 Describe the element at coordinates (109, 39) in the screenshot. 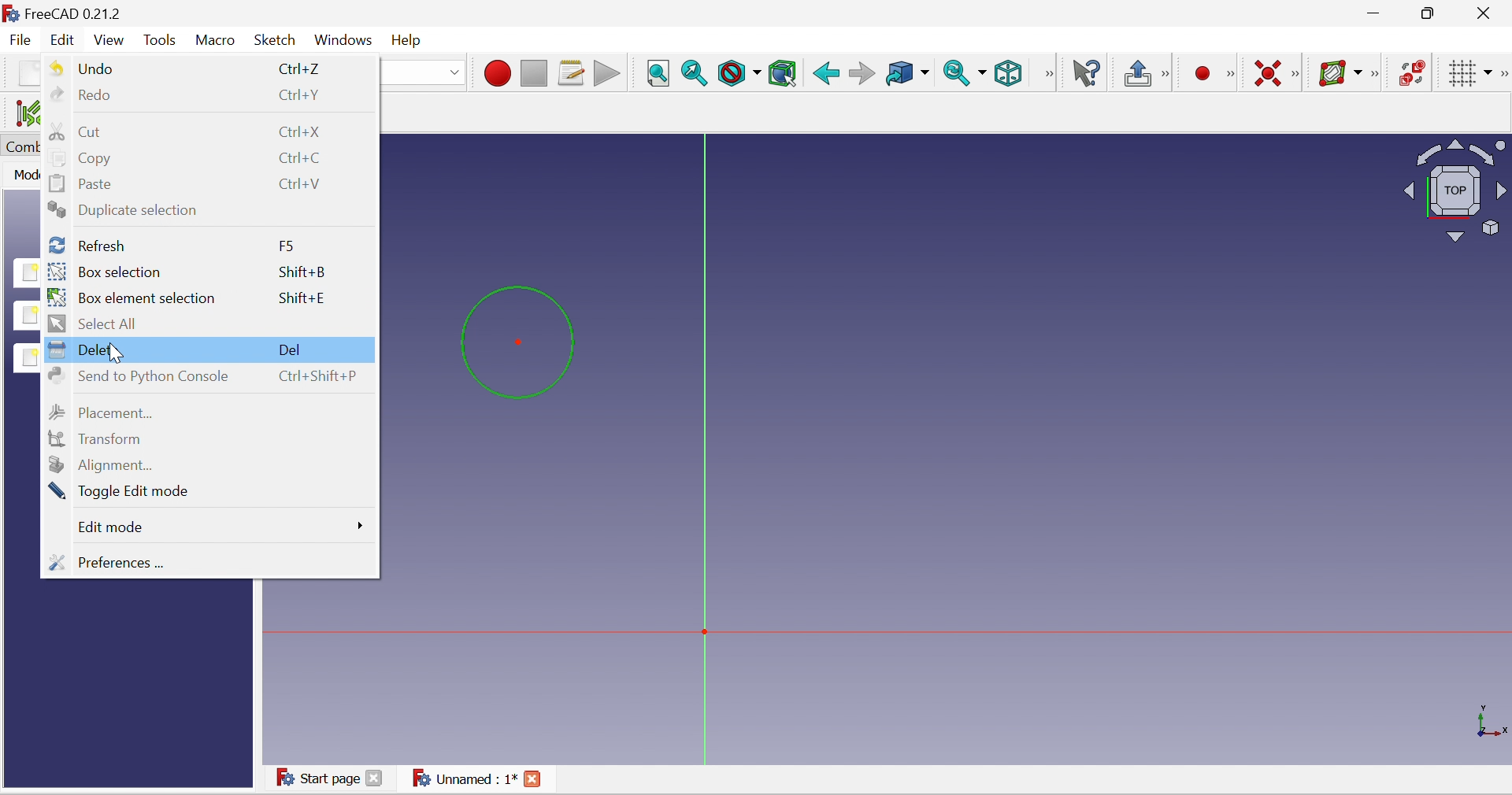

I see `View` at that location.